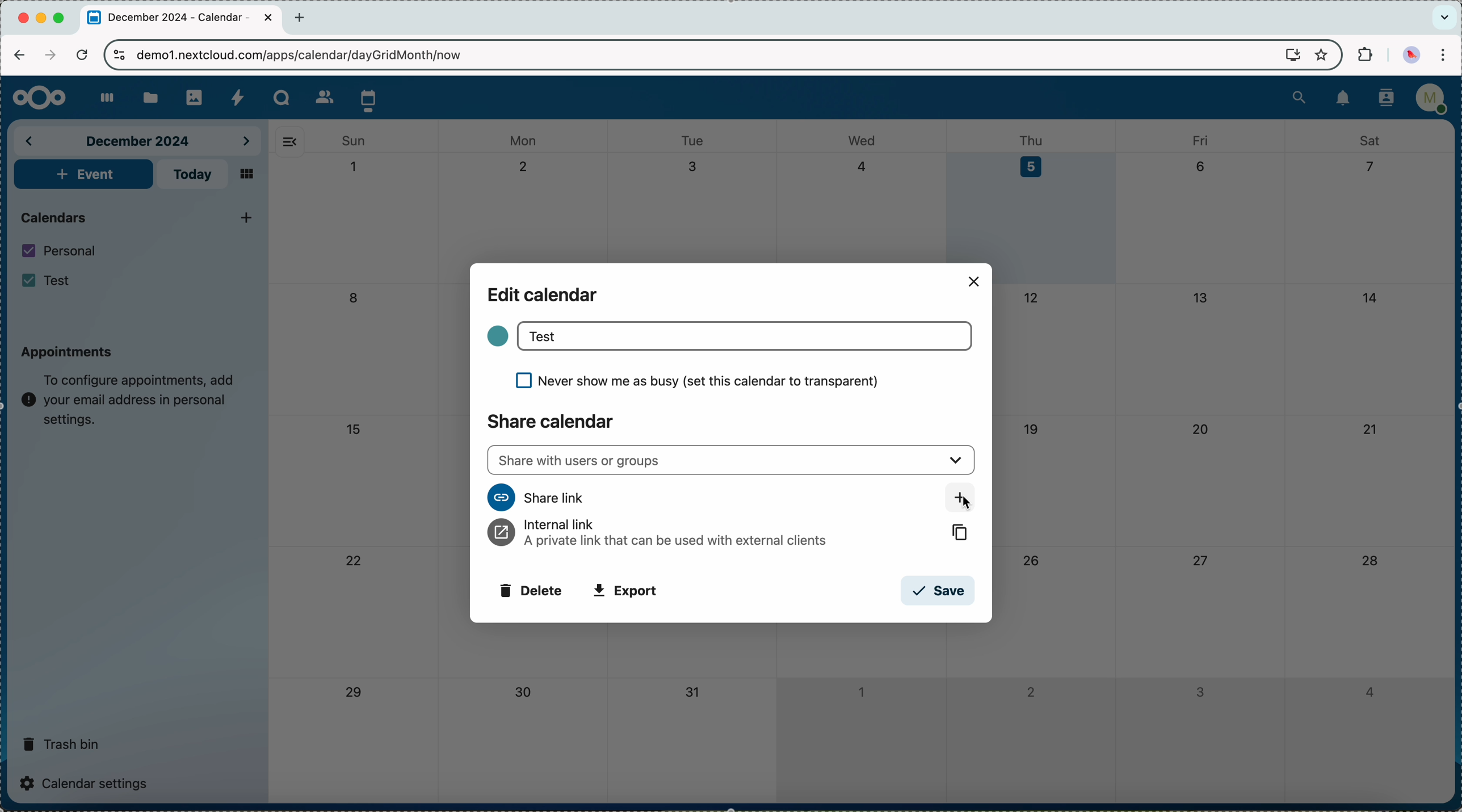 This screenshot has width=1462, height=812. What do you see at coordinates (1299, 96) in the screenshot?
I see `search` at bounding box center [1299, 96].